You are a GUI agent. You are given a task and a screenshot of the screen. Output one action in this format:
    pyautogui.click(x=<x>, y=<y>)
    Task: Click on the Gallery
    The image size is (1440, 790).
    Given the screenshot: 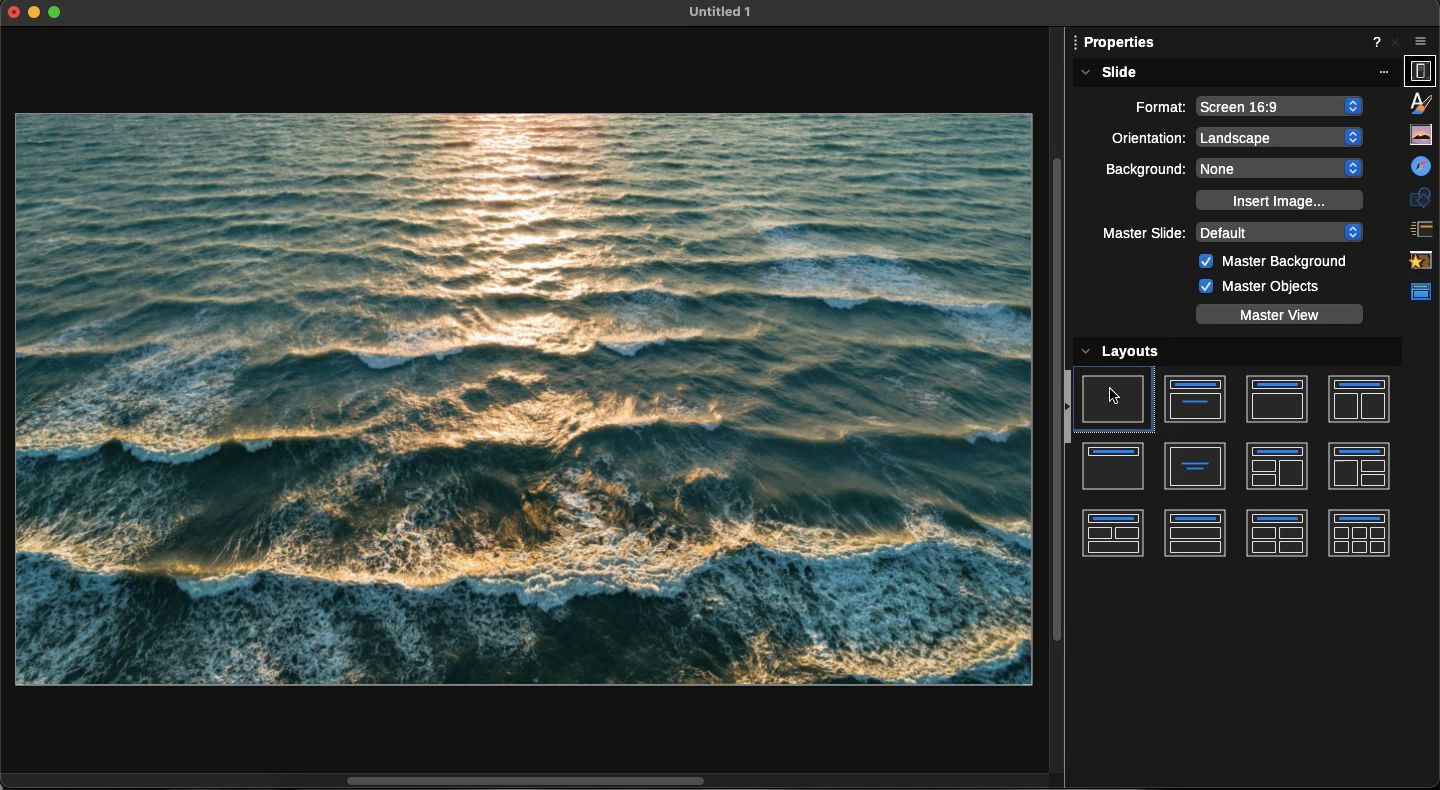 What is the action you would take?
    pyautogui.click(x=1420, y=136)
    